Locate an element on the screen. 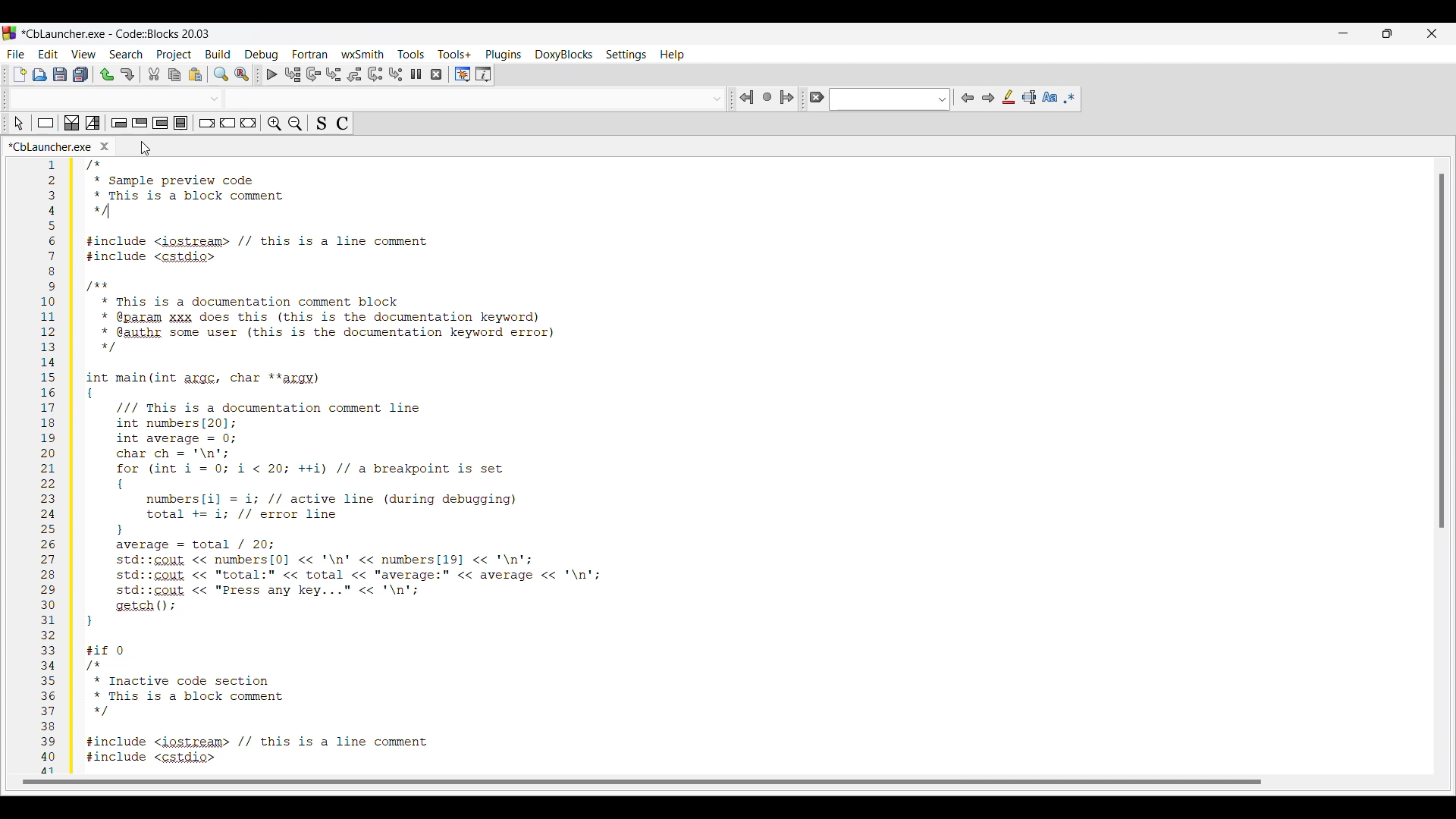 This screenshot has width=1456, height=819.  is located at coordinates (476, 97).